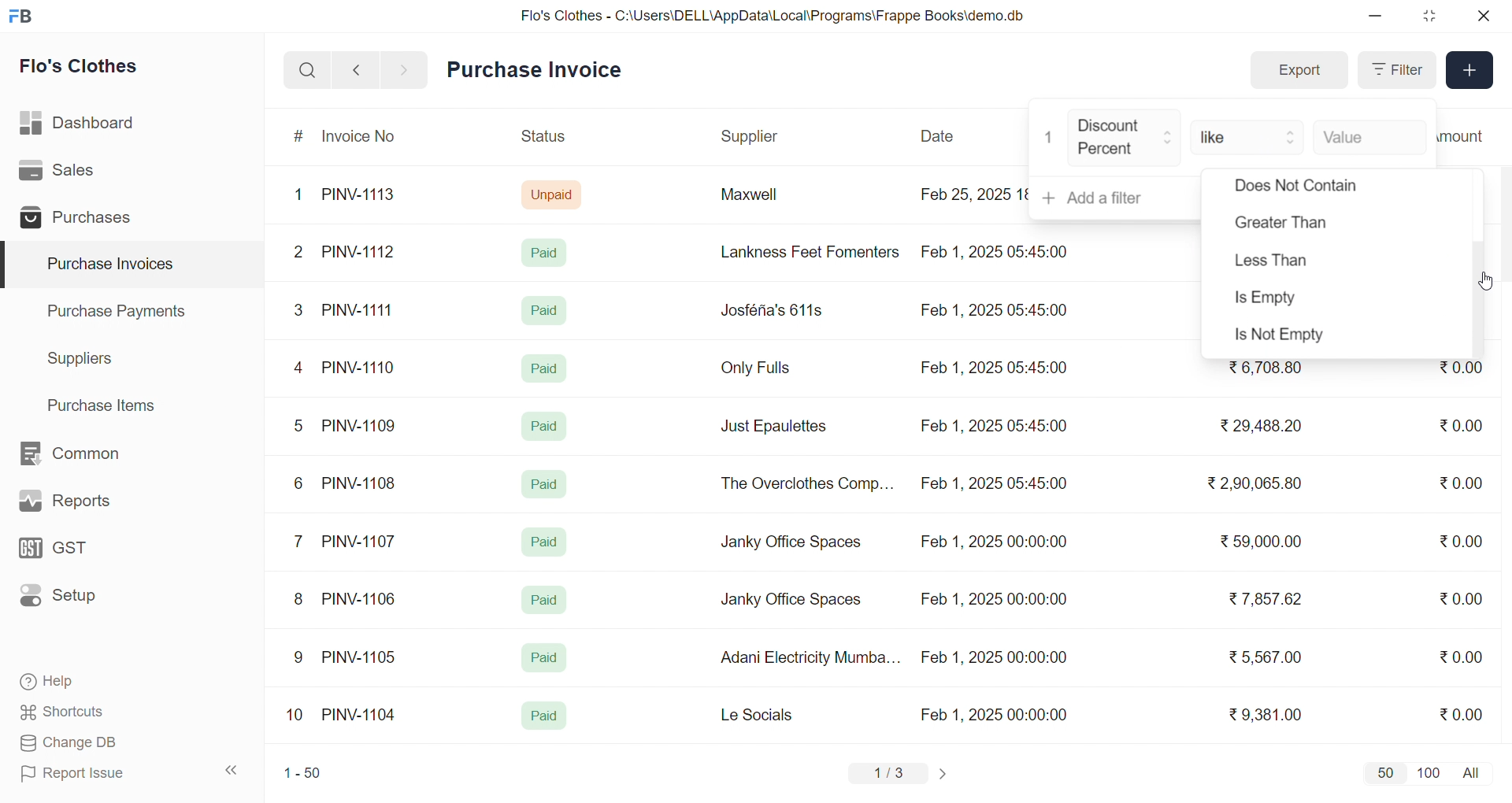  What do you see at coordinates (1369, 135) in the screenshot?
I see `Value` at bounding box center [1369, 135].